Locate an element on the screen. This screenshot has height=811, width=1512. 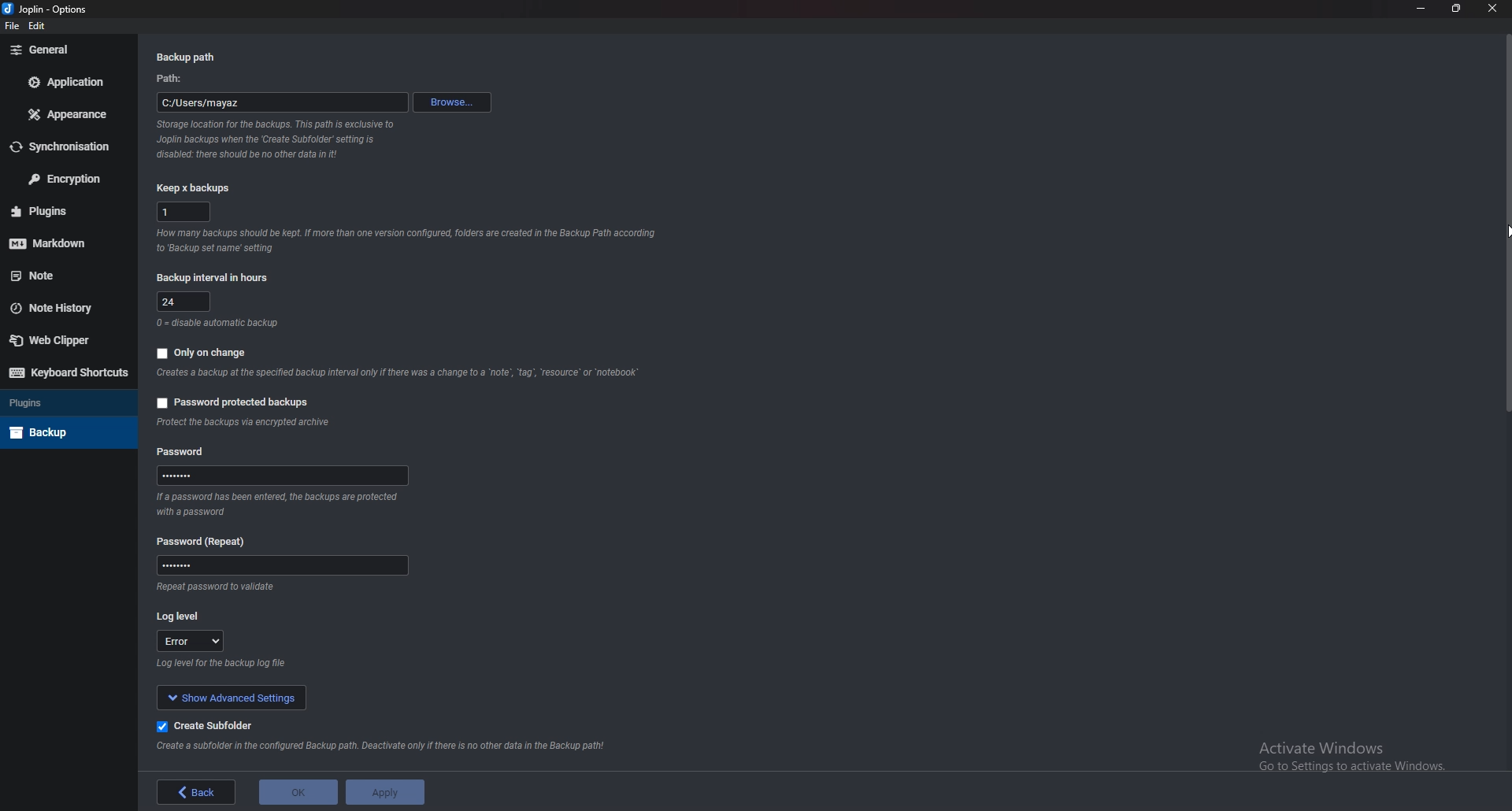
Joplin - options is located at coordinates (48, 10).